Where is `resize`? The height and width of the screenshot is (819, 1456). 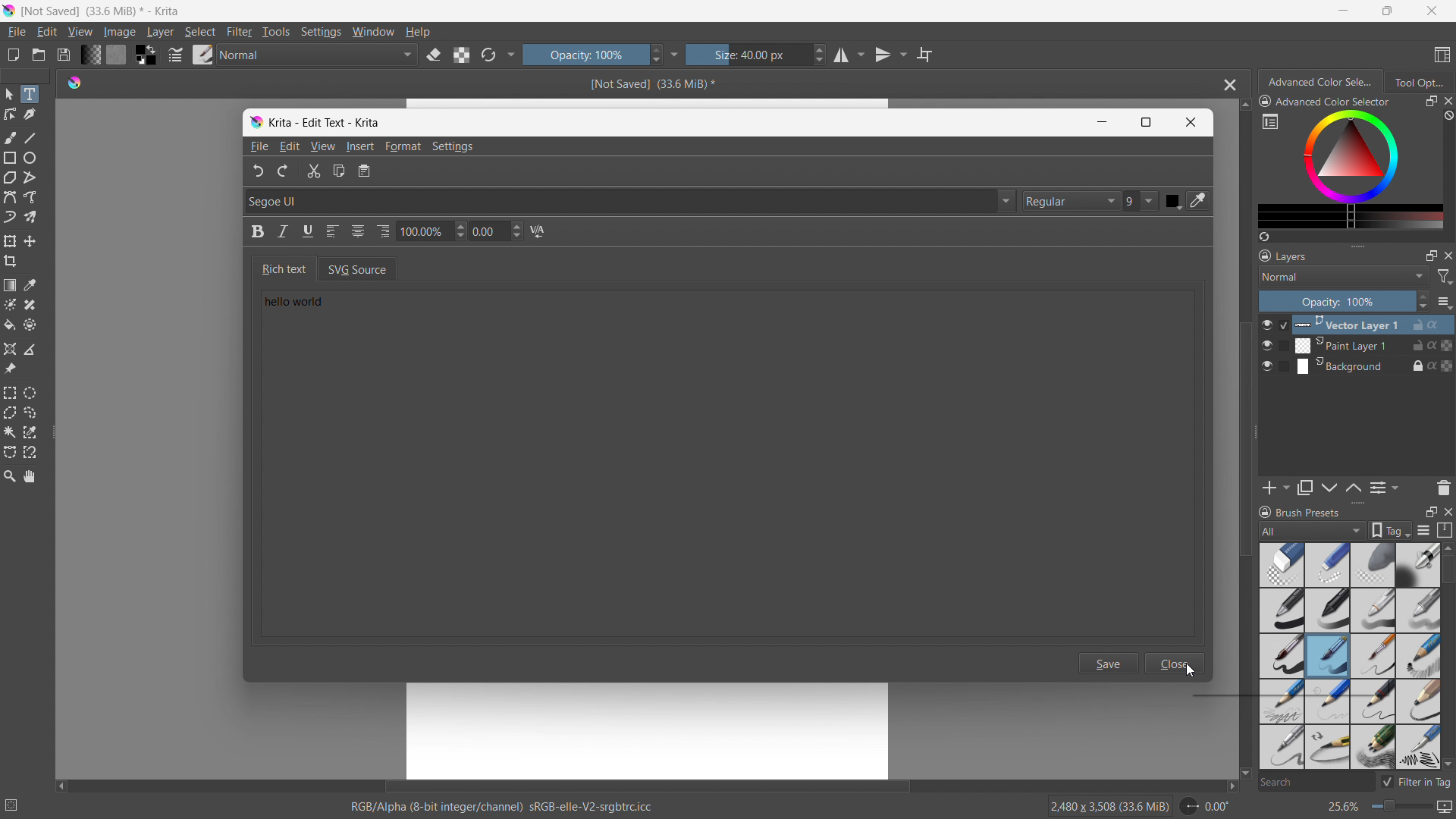
resize is located at coordinates (1256, 433).